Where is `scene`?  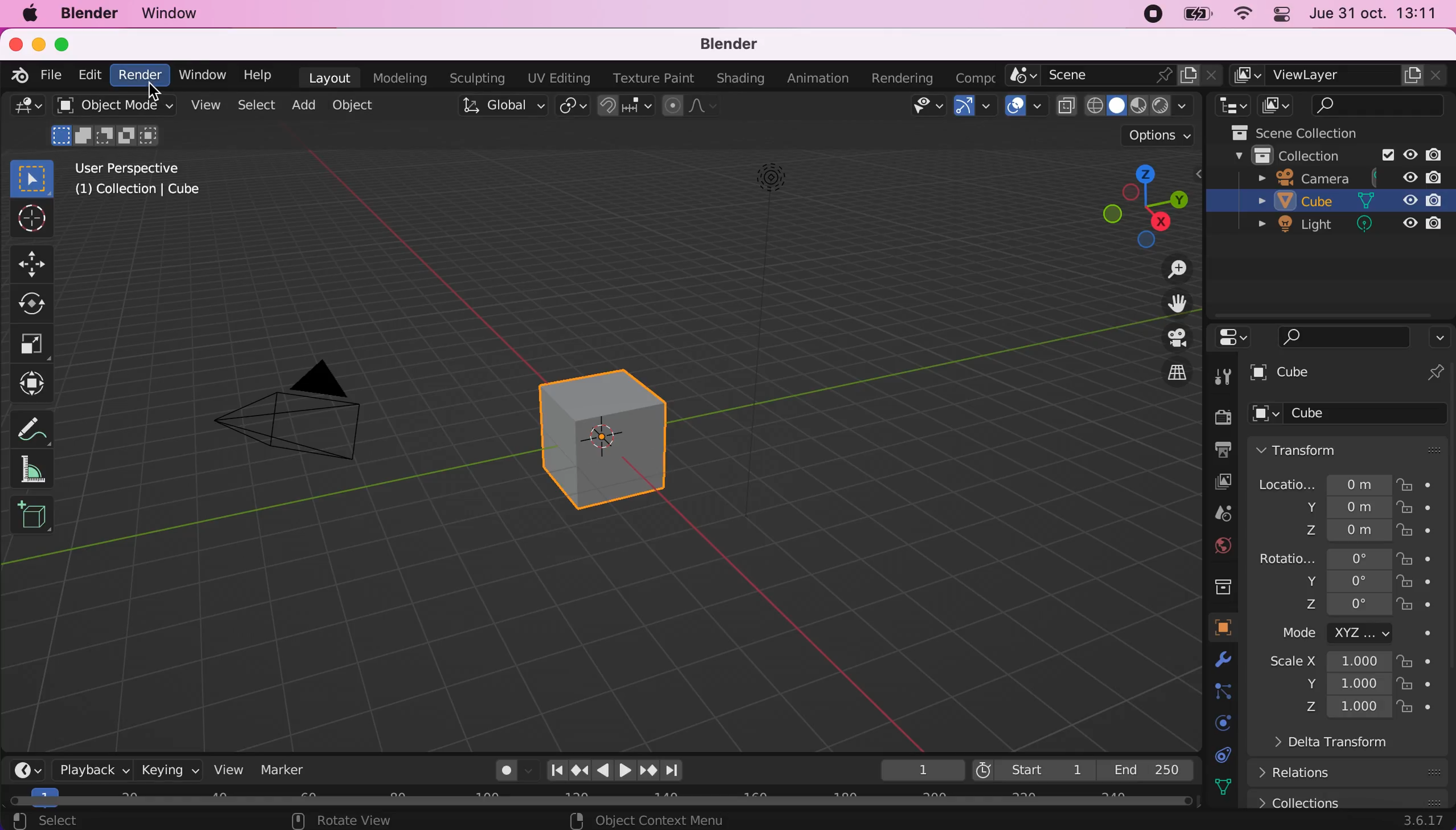
scene is located at coordinates (1222, 514).